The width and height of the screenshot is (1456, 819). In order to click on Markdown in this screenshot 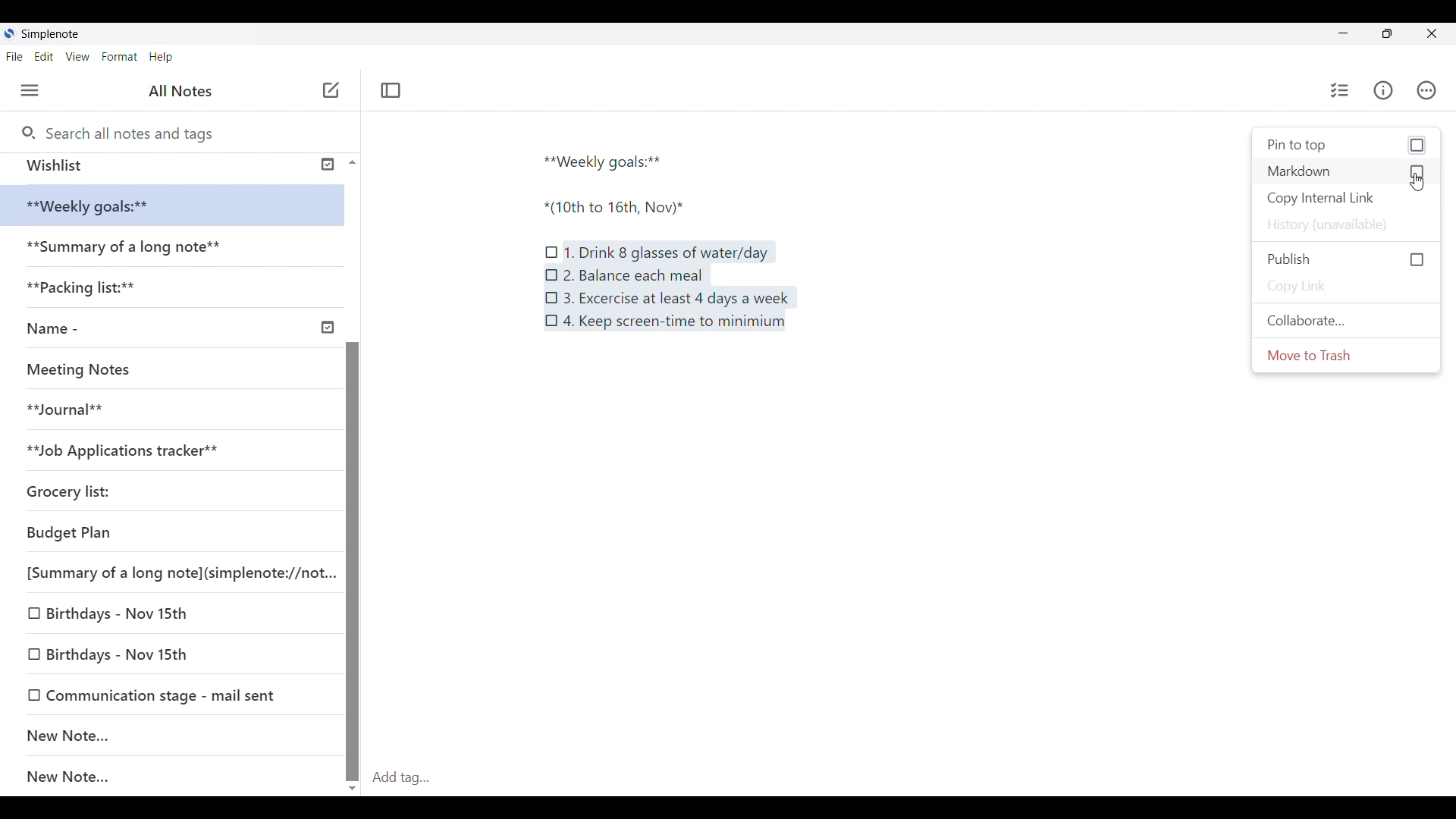, I will do `click(1348, 173)`.